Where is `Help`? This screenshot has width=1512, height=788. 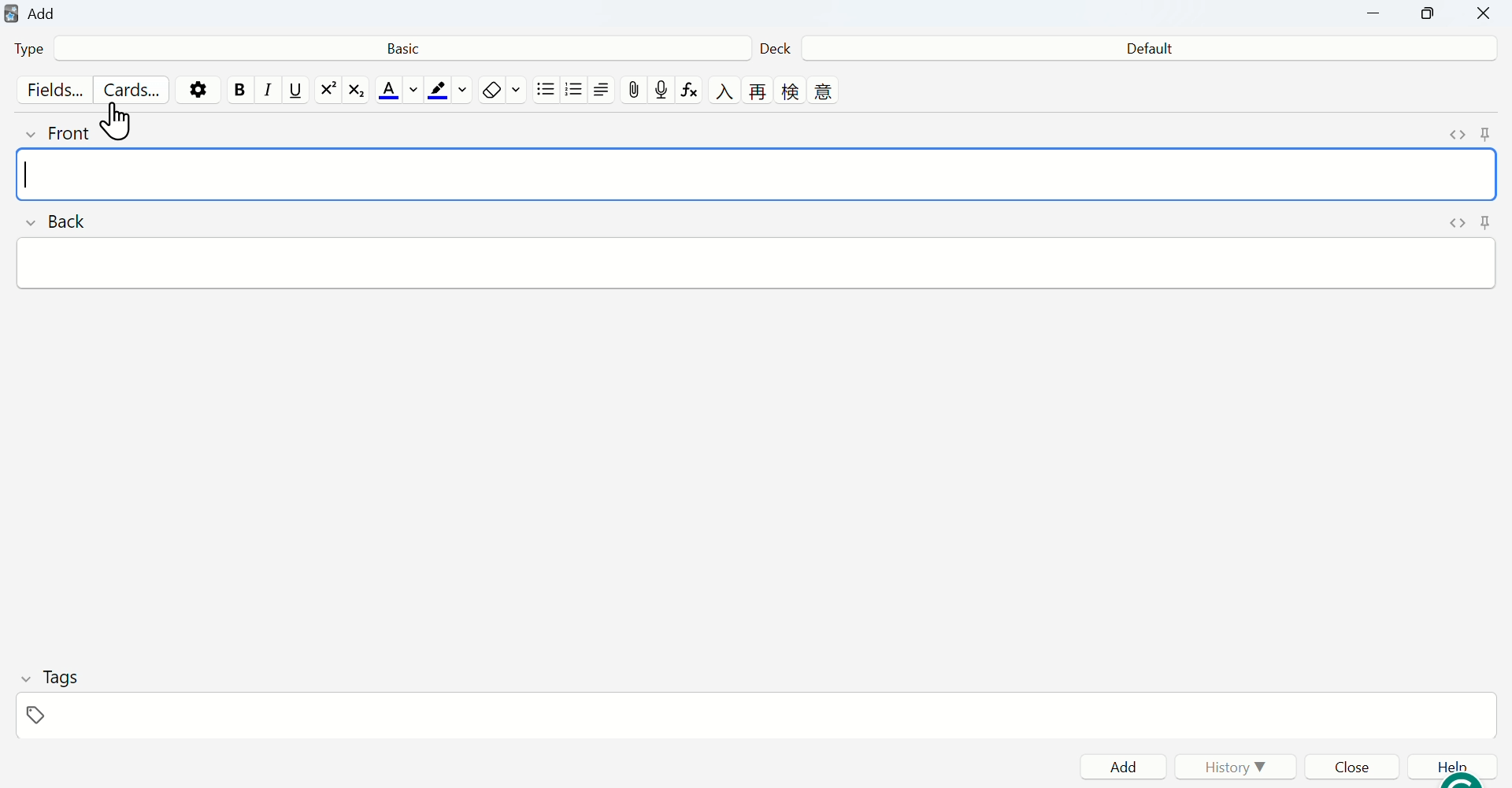
Help is located at coordinates (1453, 767).